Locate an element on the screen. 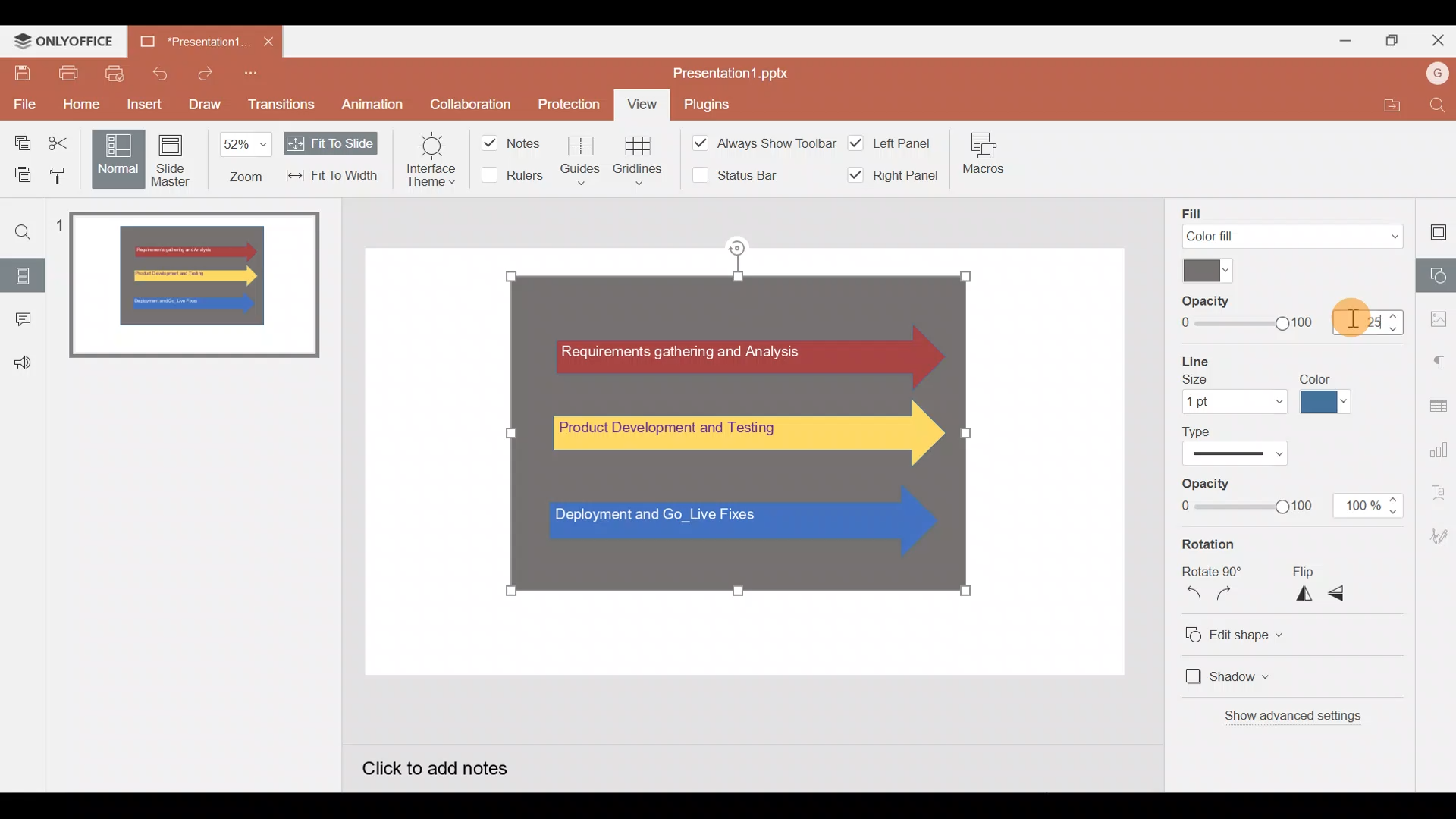 Image resolution: width=1456 pixels, height=819 pixels. Find is located at coordinates (23, 230).